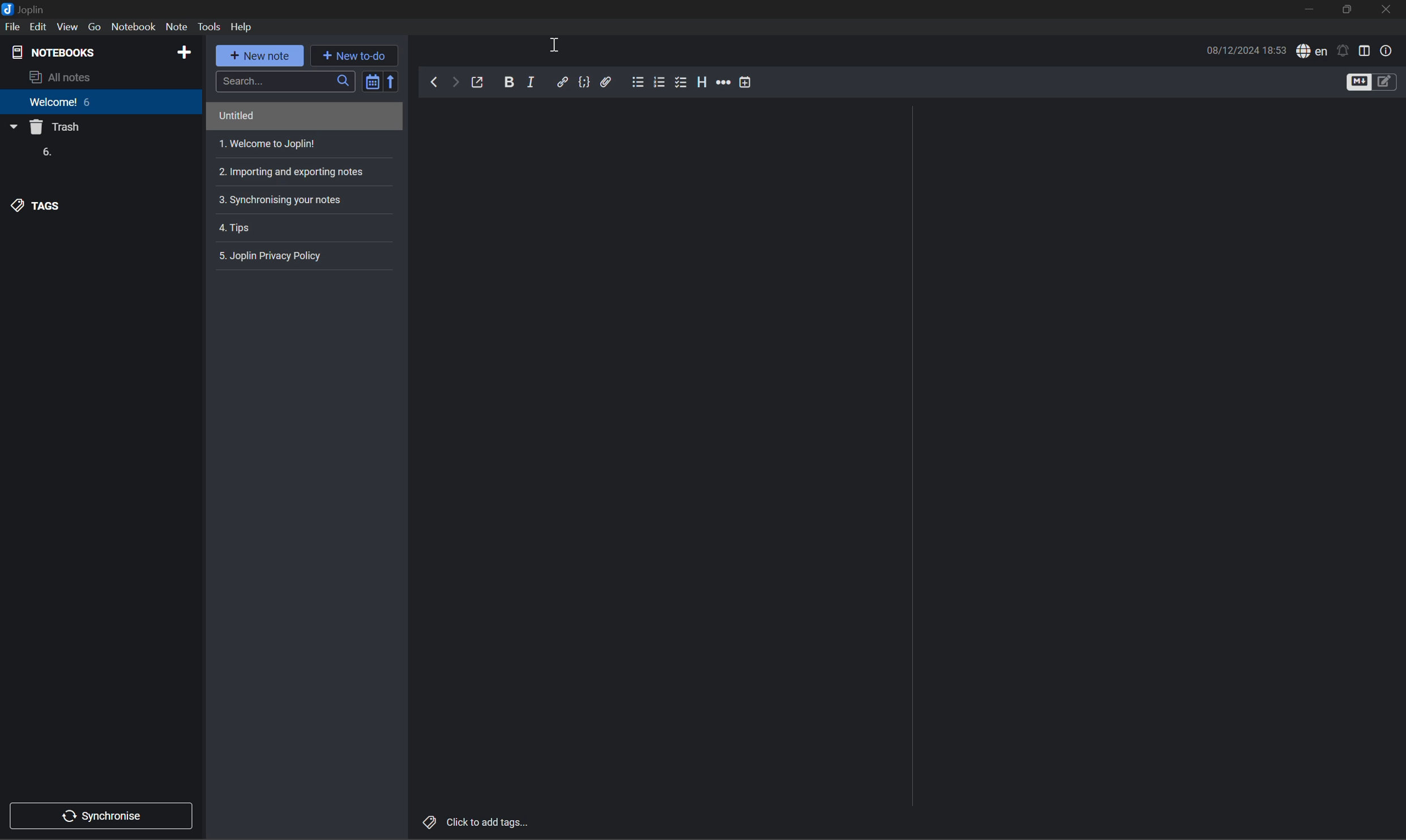  I want to click on New to-do, so click(360, 55).